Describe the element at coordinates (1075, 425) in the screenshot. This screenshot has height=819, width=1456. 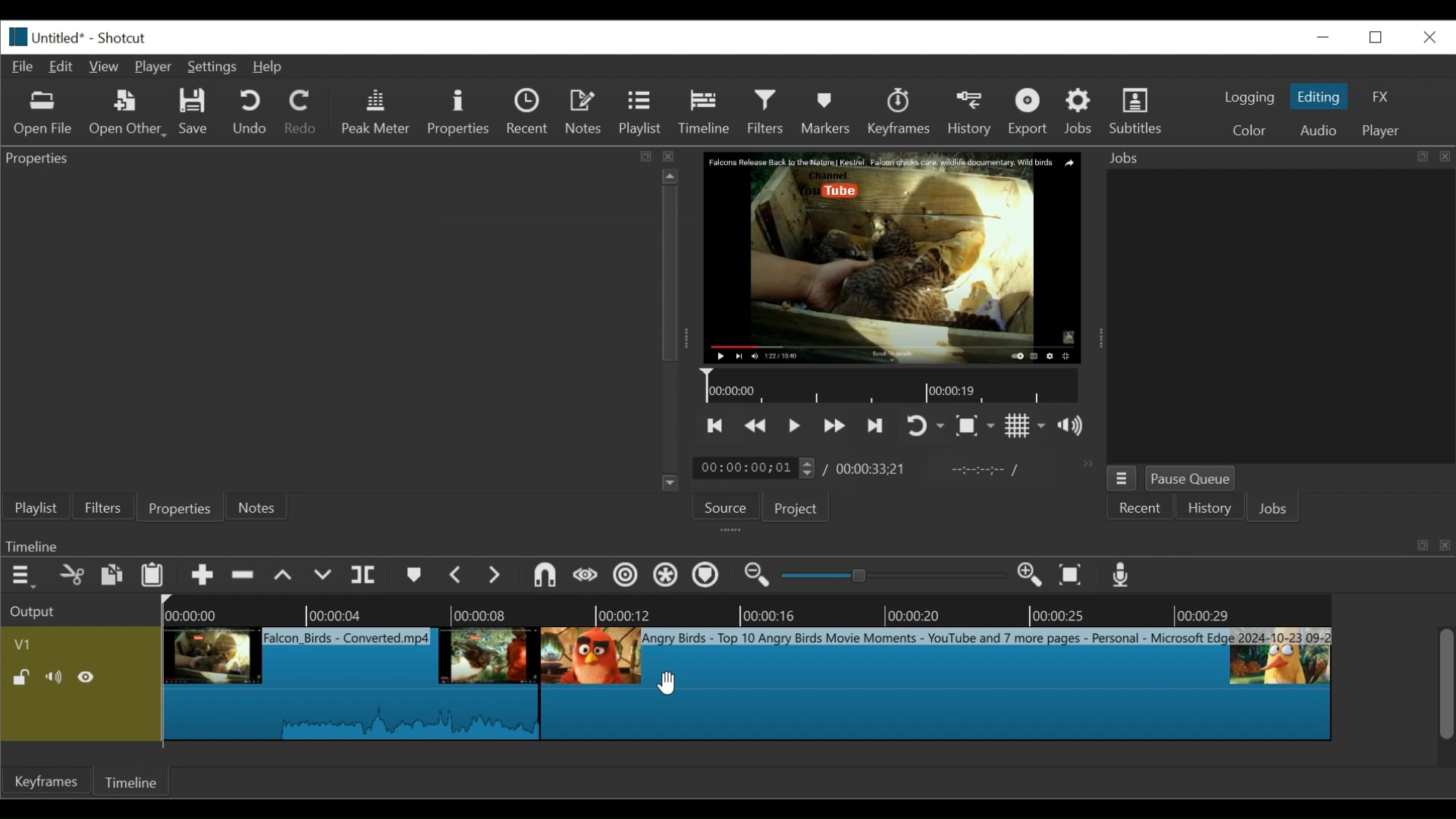
I see `Show thevolume control` at that location.